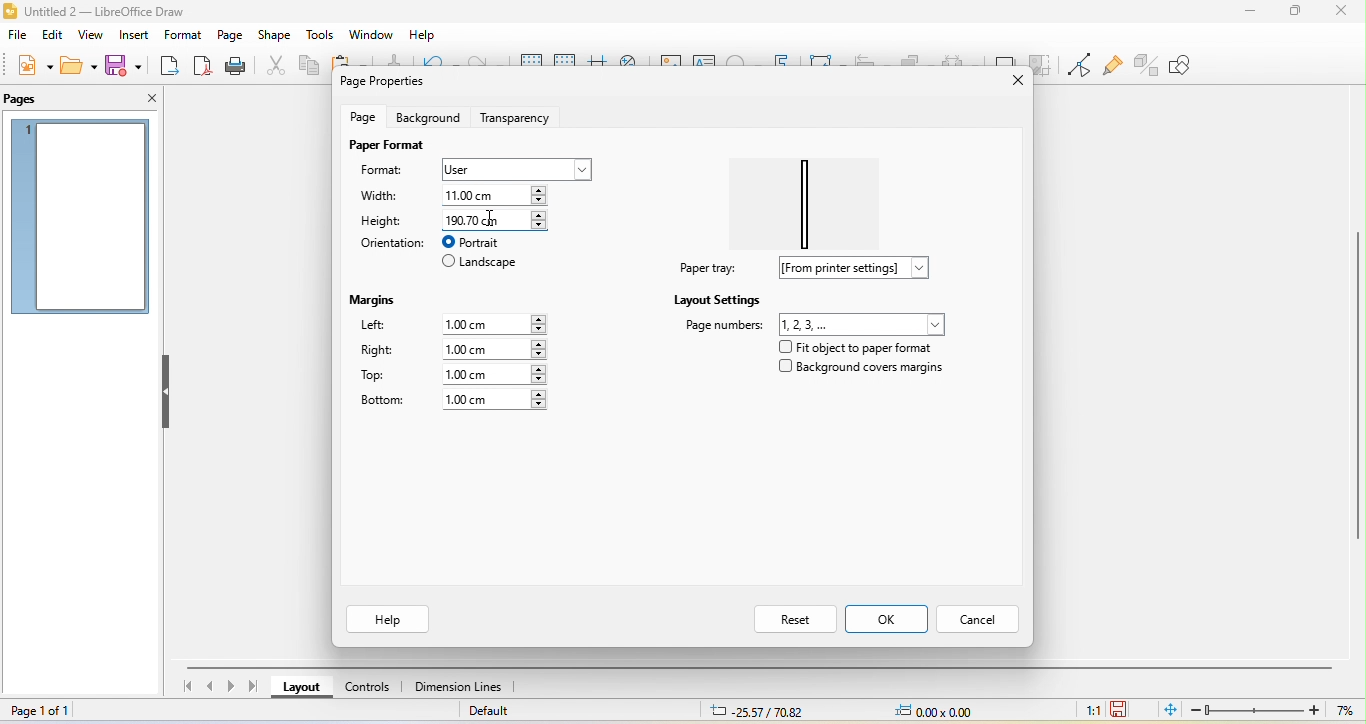  What do you see at coordinates (494, 374) in the screenshot?
I see `1.00 cm` at bounding box center [494, 374].